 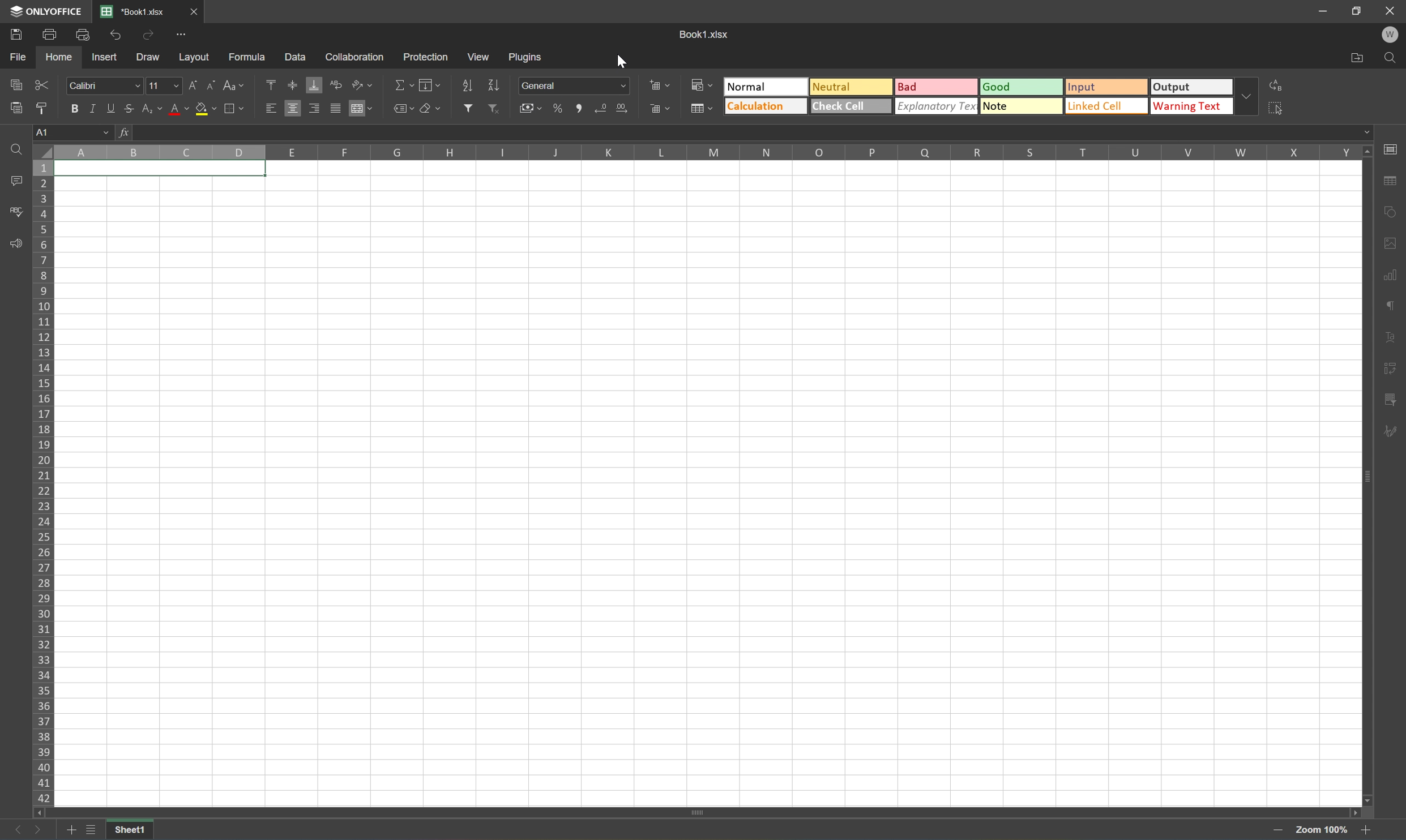 I want to click on Borders, so click(x=238, y=108).